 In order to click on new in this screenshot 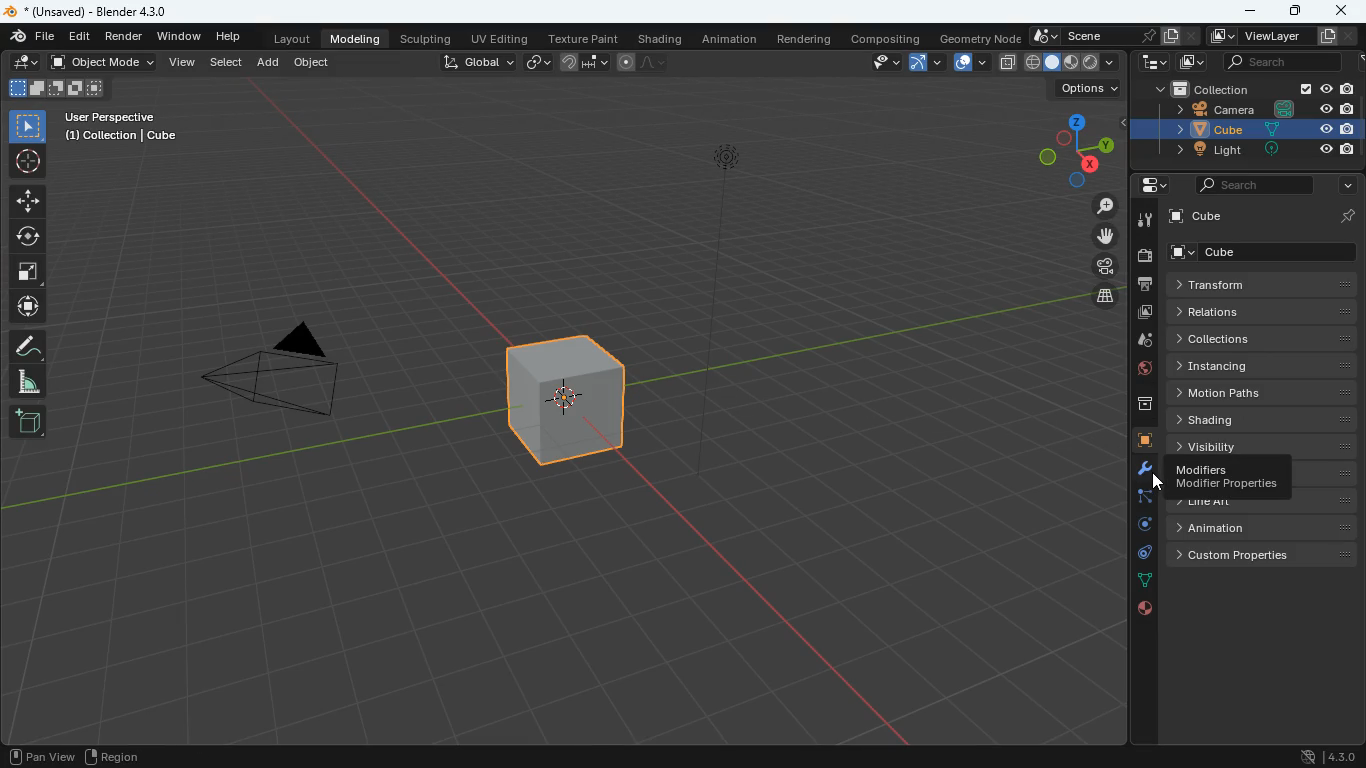, I will do `click(30, 423)`.